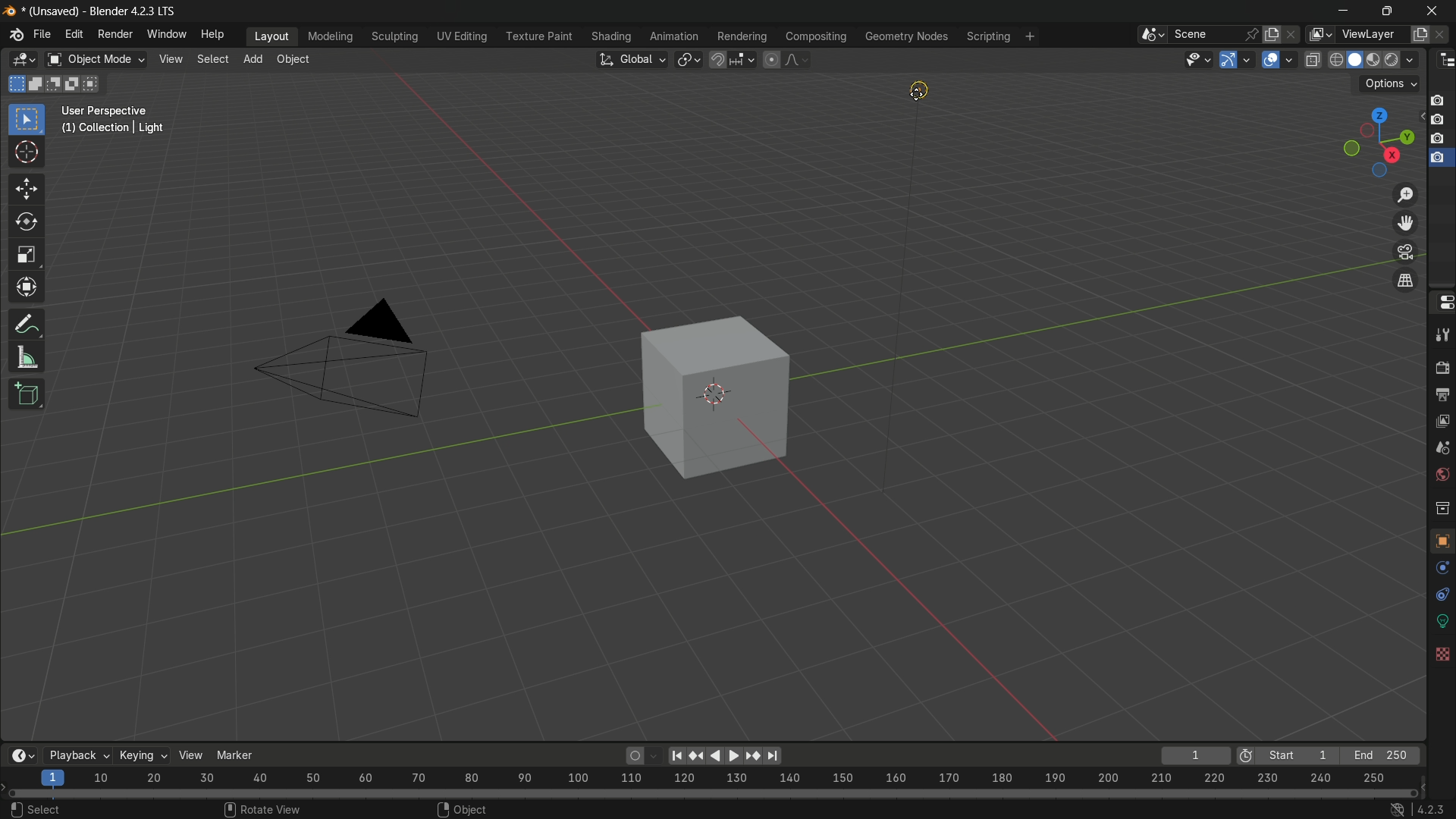  I want to click on texture paint menu, so click(542, 36).